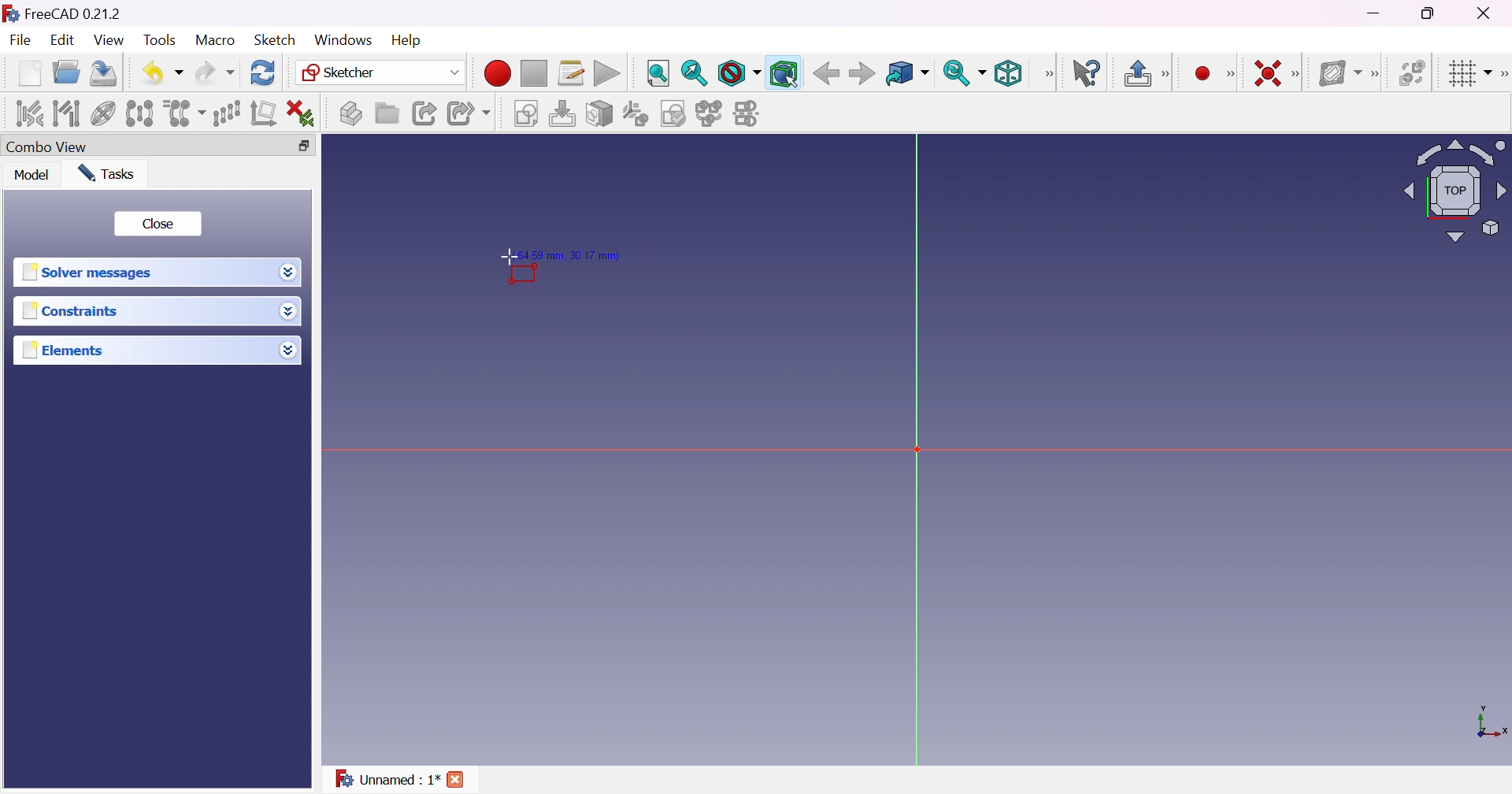 This screenshot has height=794, width=1512. I want to click on Toggle grid, so click(1466, 74).